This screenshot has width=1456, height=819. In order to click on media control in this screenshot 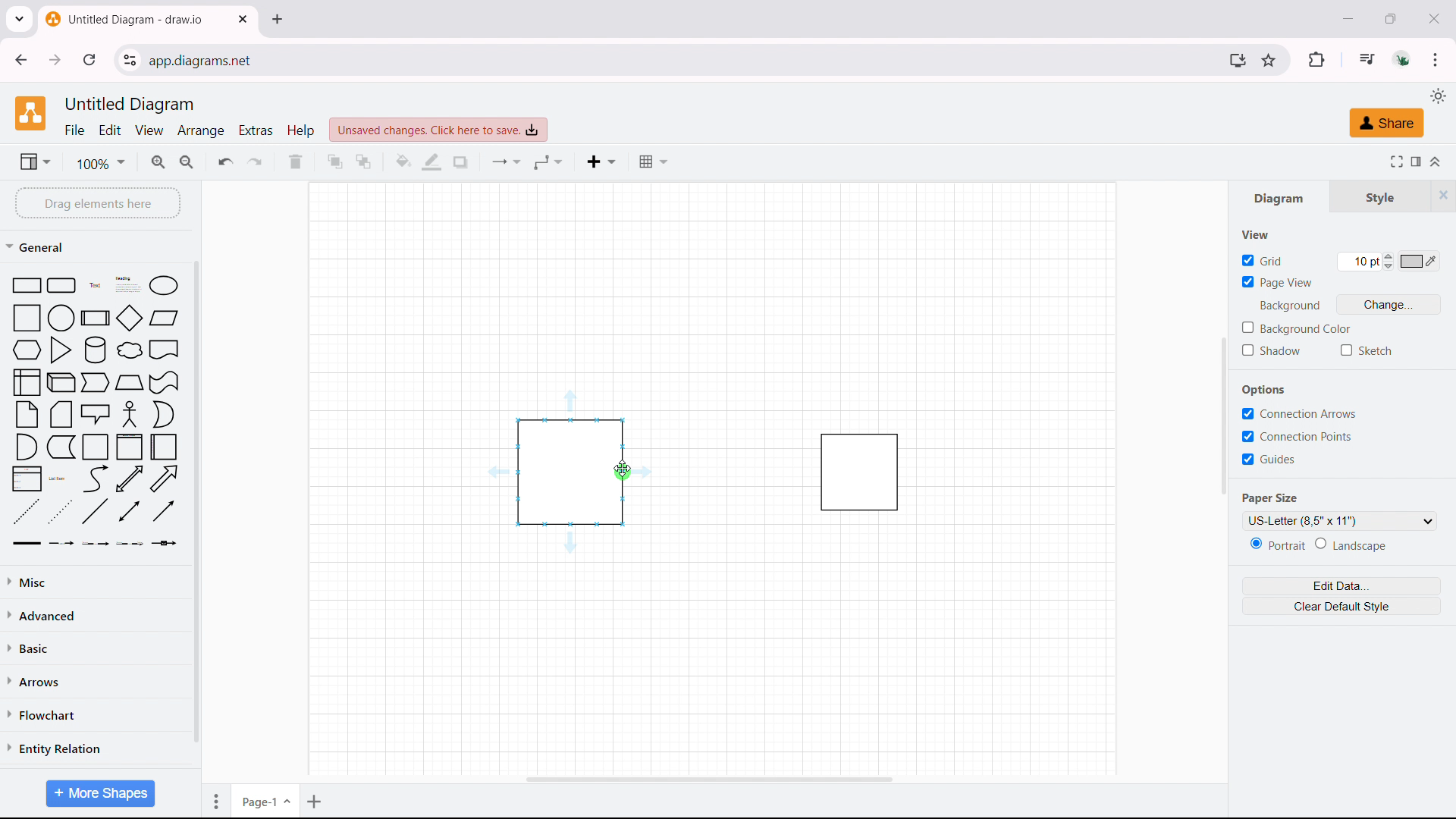, I will do `click(1365, 58)`.